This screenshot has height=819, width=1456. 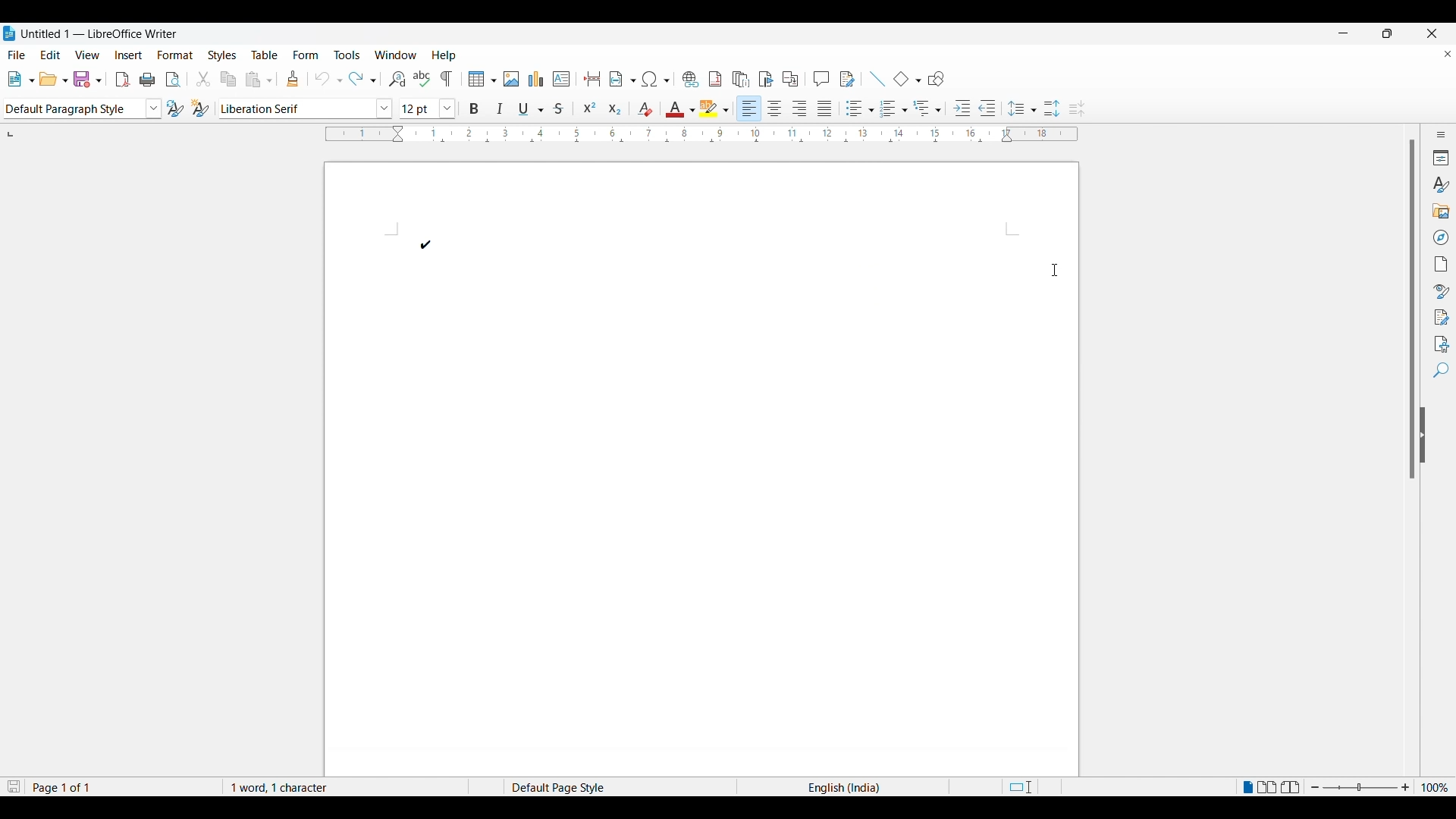 What do you see at coordinates (767, 78) in the screenshot?
I see `insert book mark` at bounding box center [767, 78].